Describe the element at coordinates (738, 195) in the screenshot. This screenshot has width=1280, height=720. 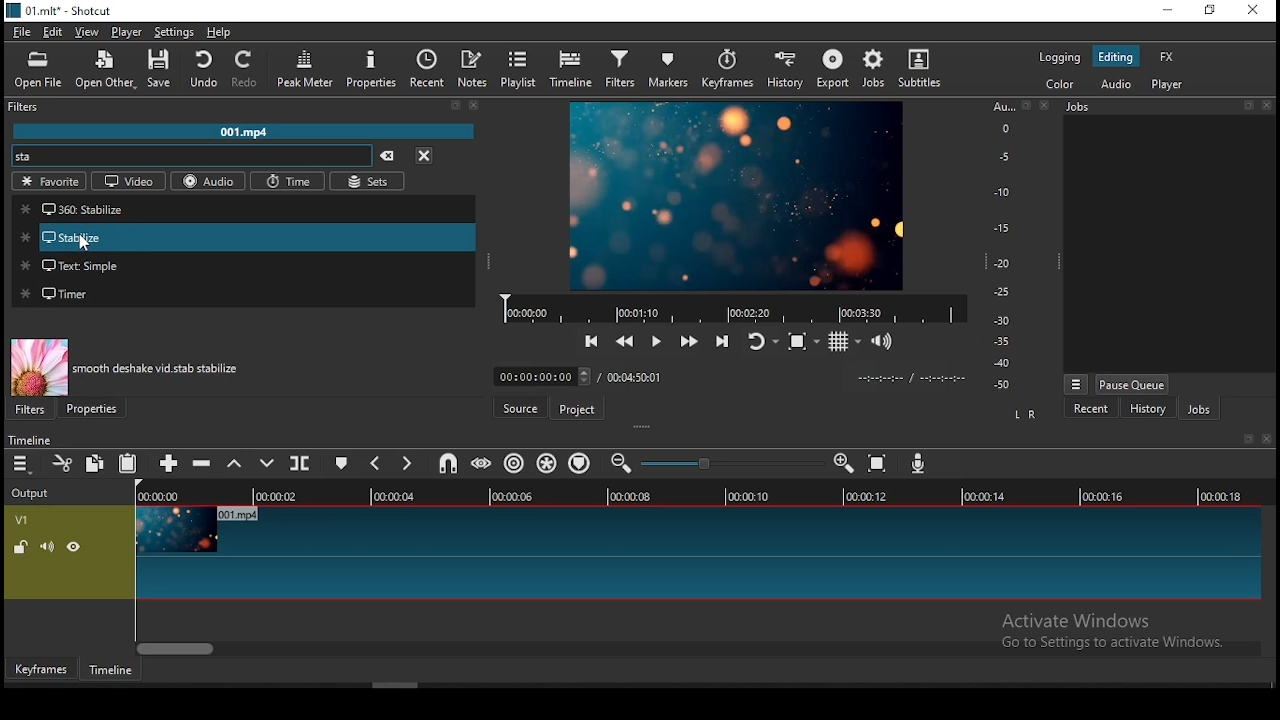
I see `image` at that location.